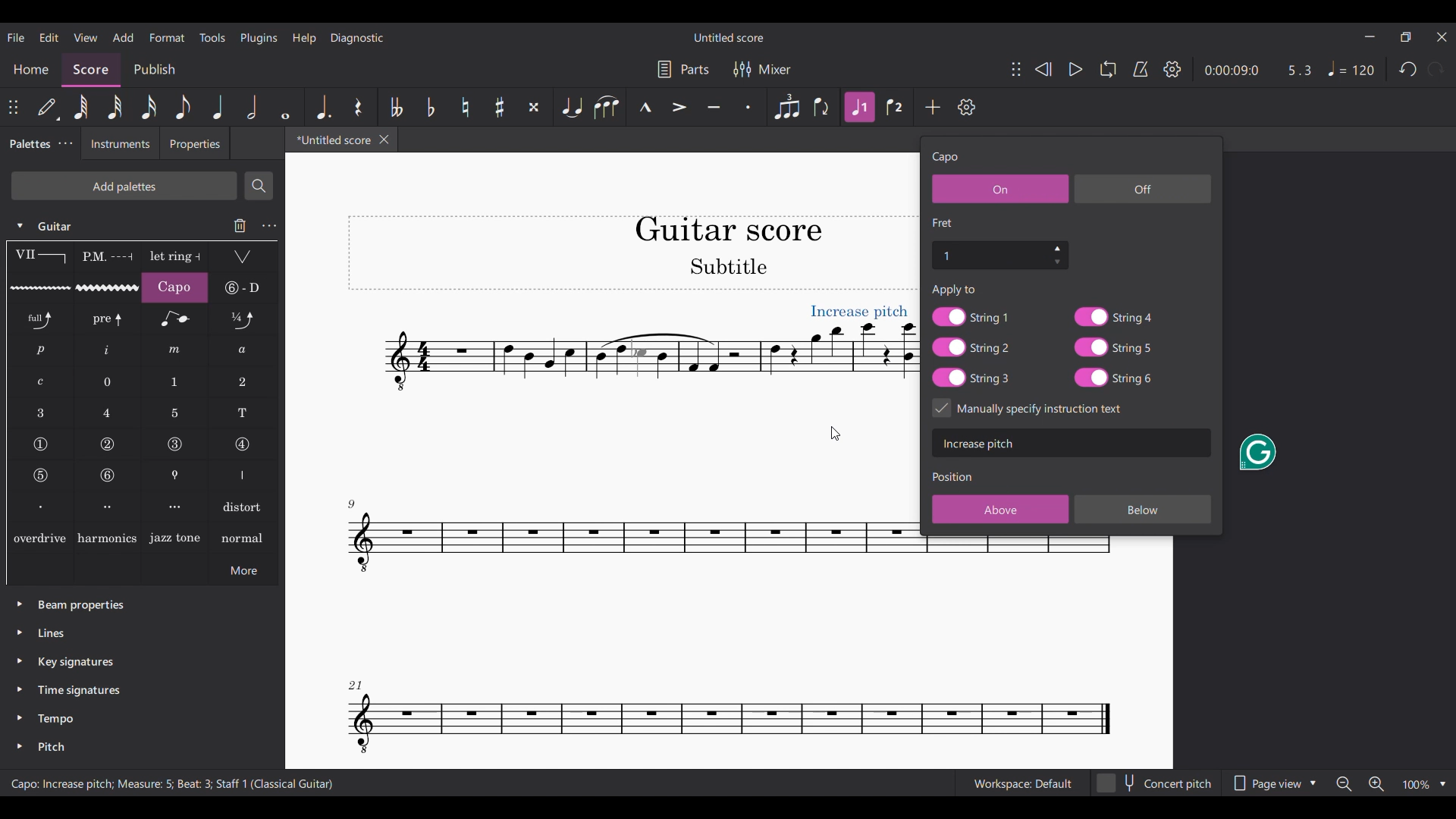 The width and height of the screenshot is (1456, 819). I want to click on RH guitar fingering p, so click(41, 350).